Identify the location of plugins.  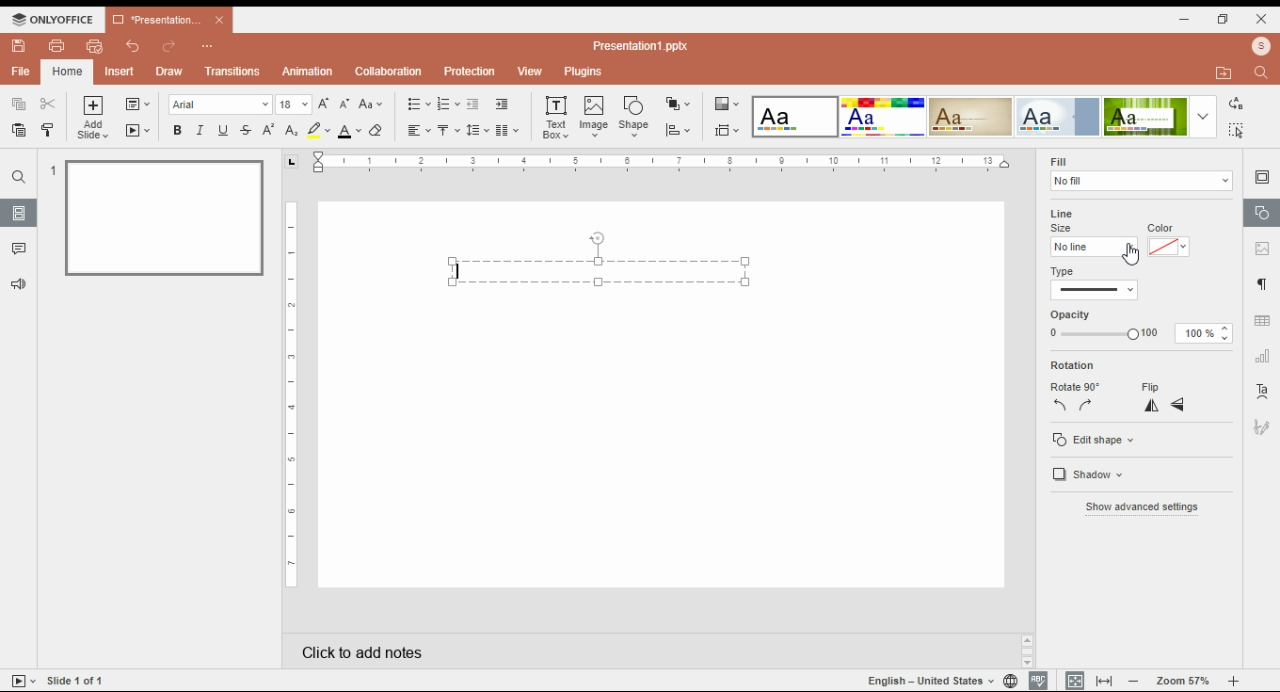
(582, 71).